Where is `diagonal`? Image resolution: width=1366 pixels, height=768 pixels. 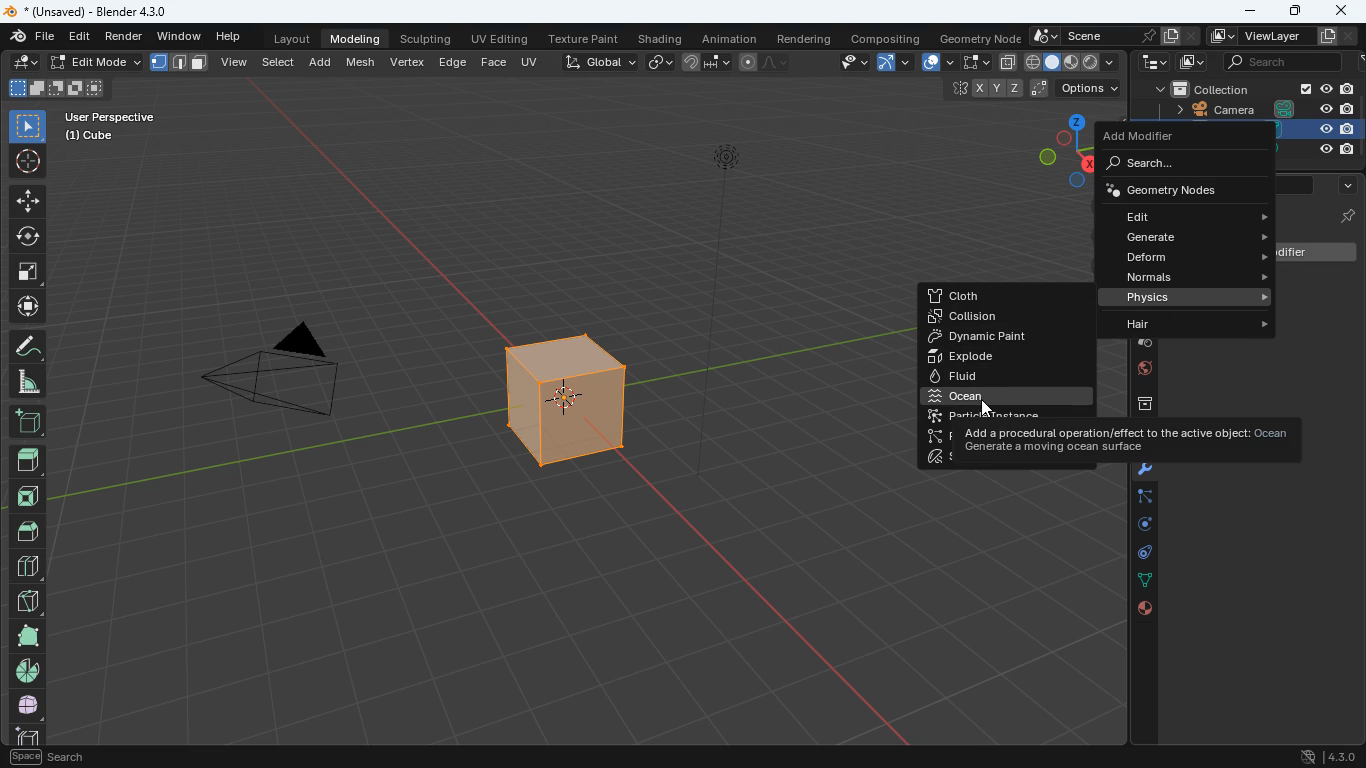 diagonal is located at coordinates (27, 597).